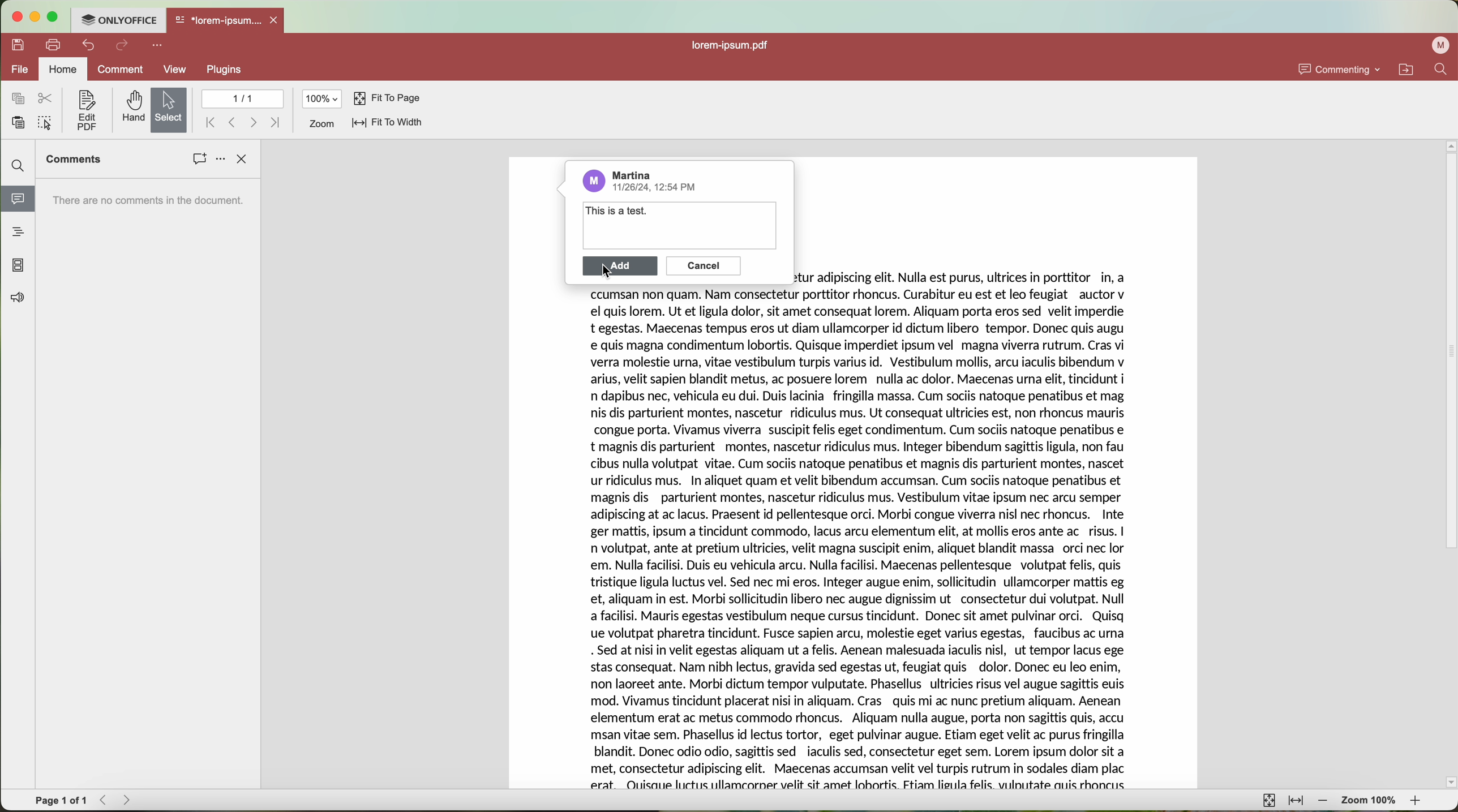  What do you see at coordinates (18, 98) in the screenshot?
I see `copy` at bounding box center [18, 98].